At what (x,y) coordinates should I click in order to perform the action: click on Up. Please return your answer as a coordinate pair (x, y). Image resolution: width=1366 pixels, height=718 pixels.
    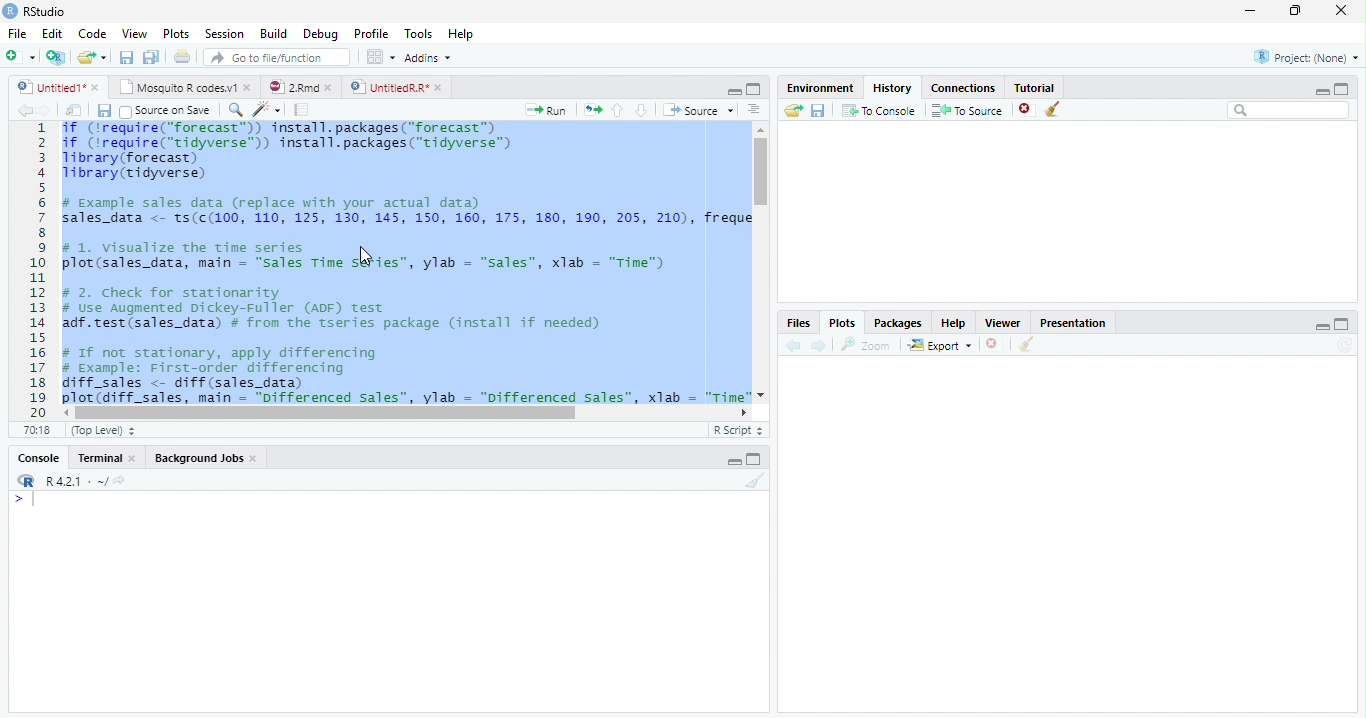
    Looking at the image, I should click on (618, 110).